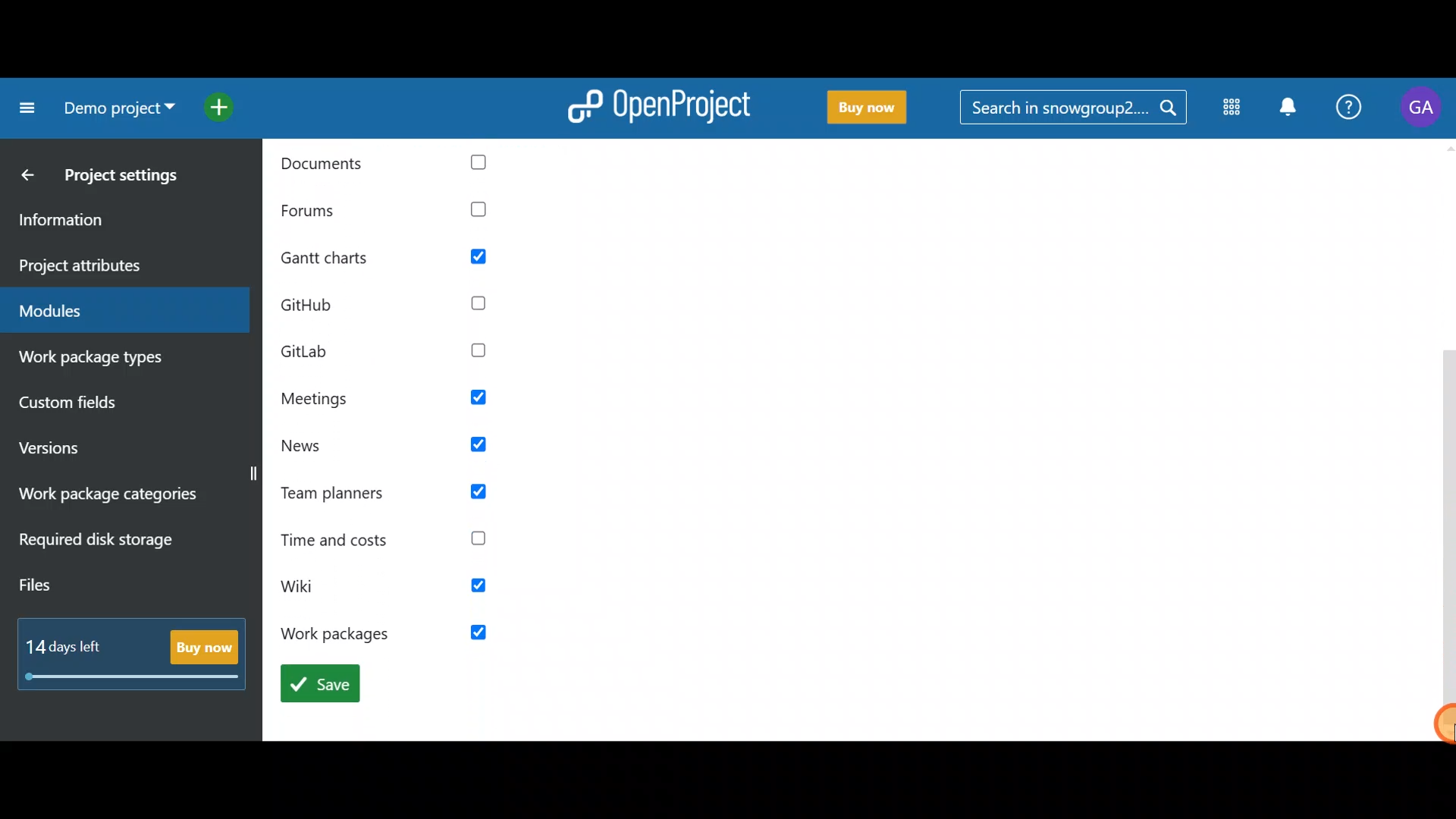 The height and width of the screenshot is (819, 1456). What do you see at coordinates (1445, 724) in the screenshot?
I see `Cursor-drag to` at bounding box center [1445, 724].